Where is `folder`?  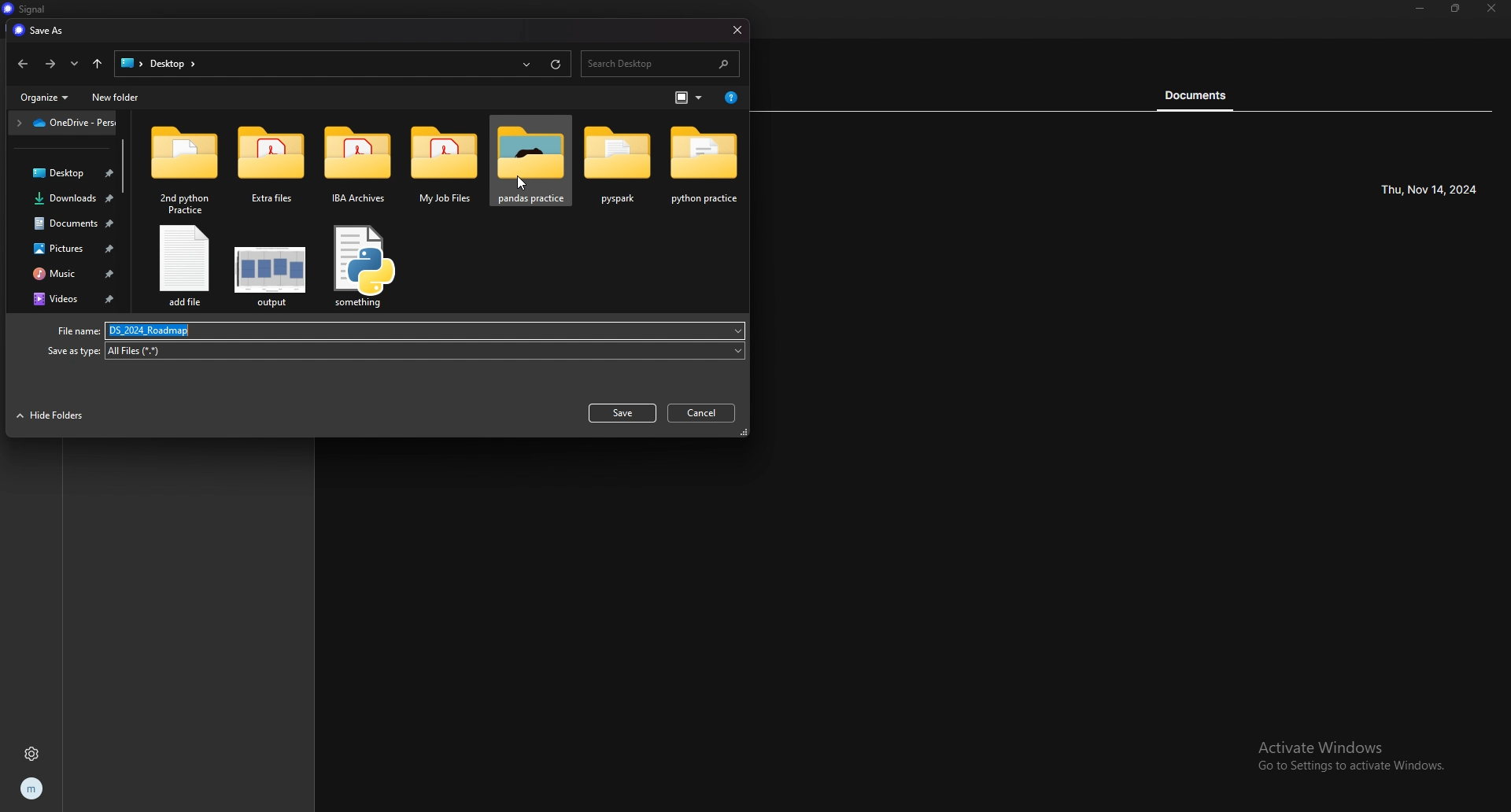 folder is located at coordinates (185, 168).